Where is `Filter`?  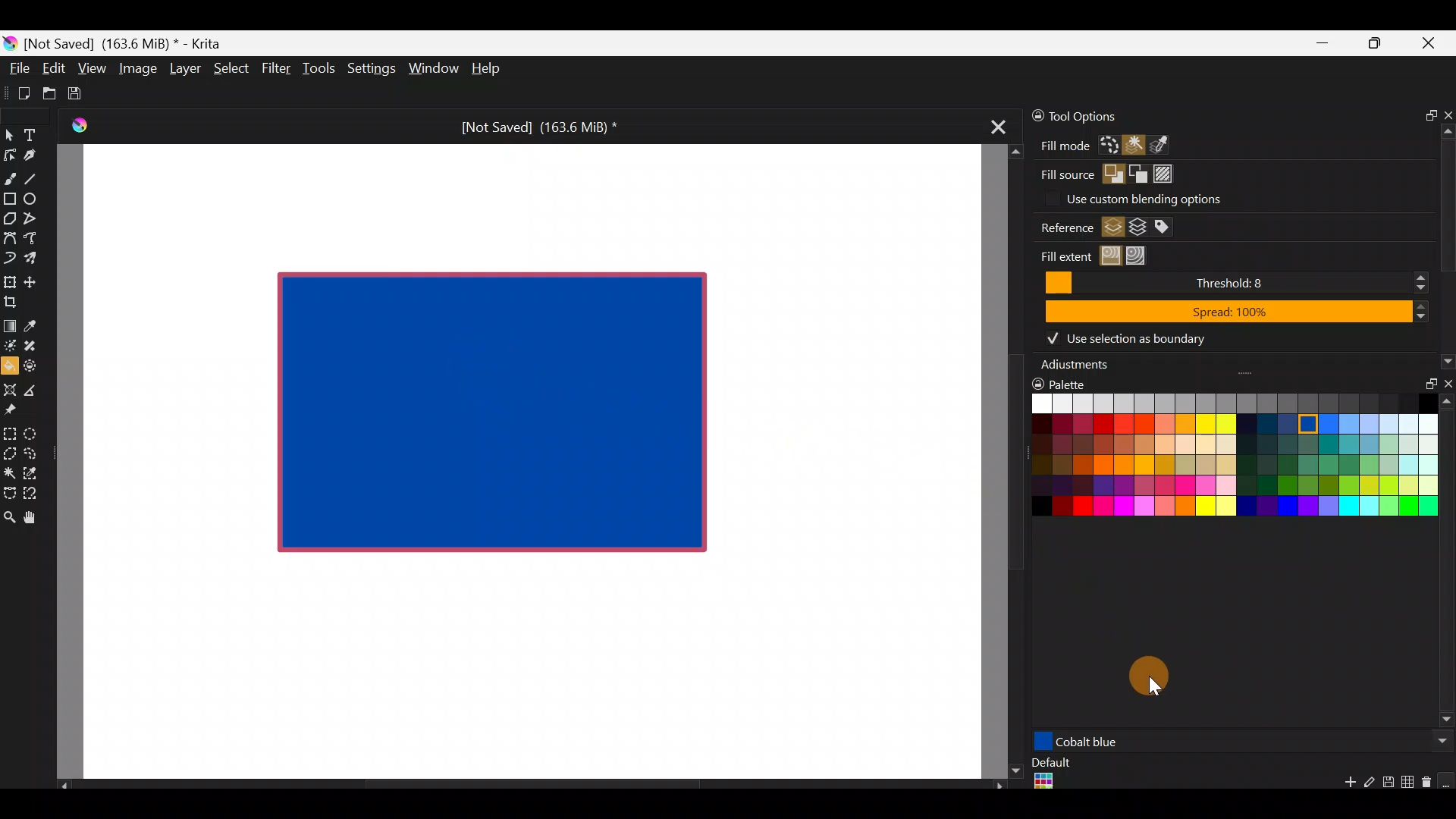 Filter is located at coordinates (274, 68).